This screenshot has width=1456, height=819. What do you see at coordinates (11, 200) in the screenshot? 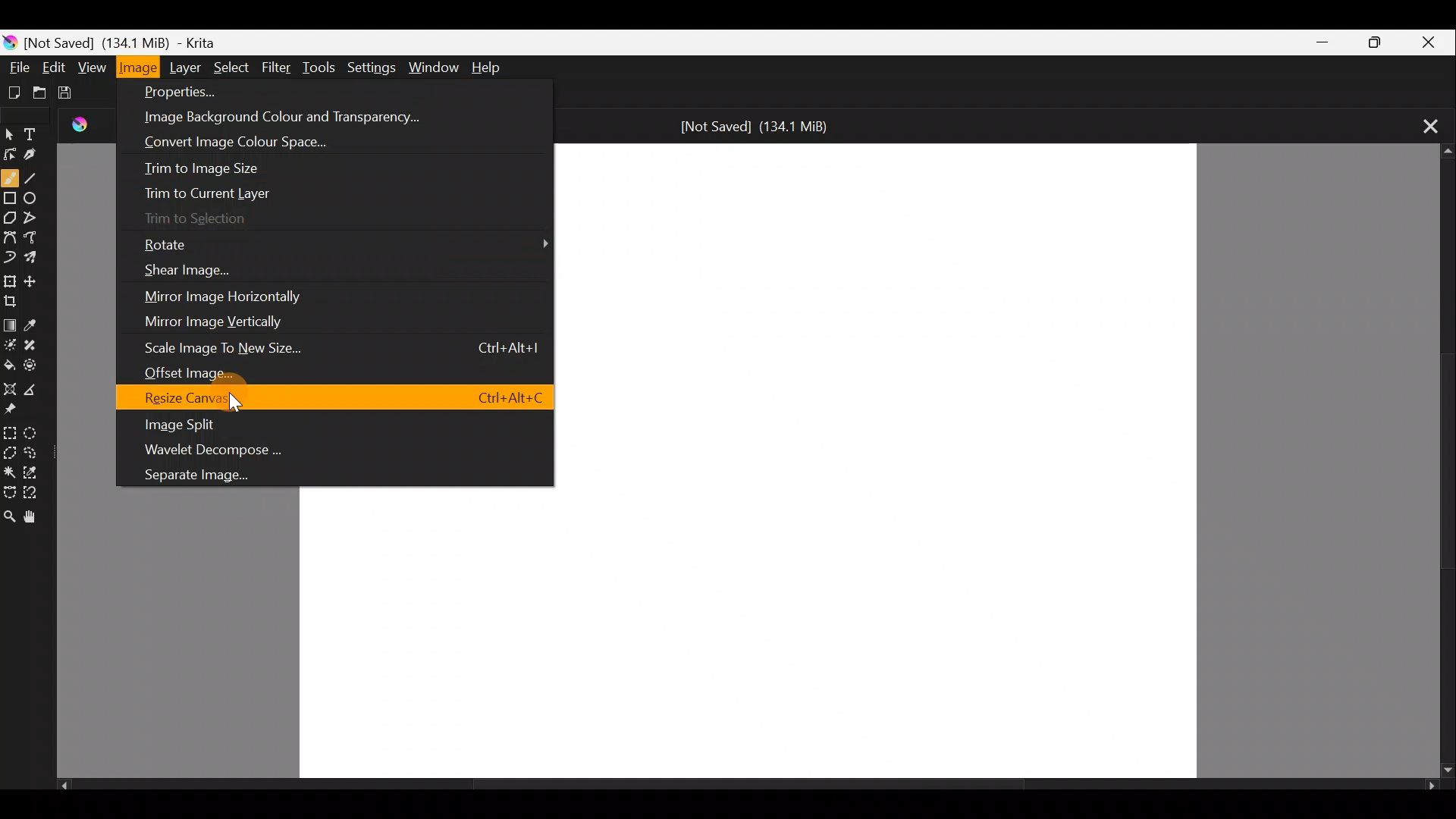
I see `Rectangle tool` at bounding box center [11, 200].